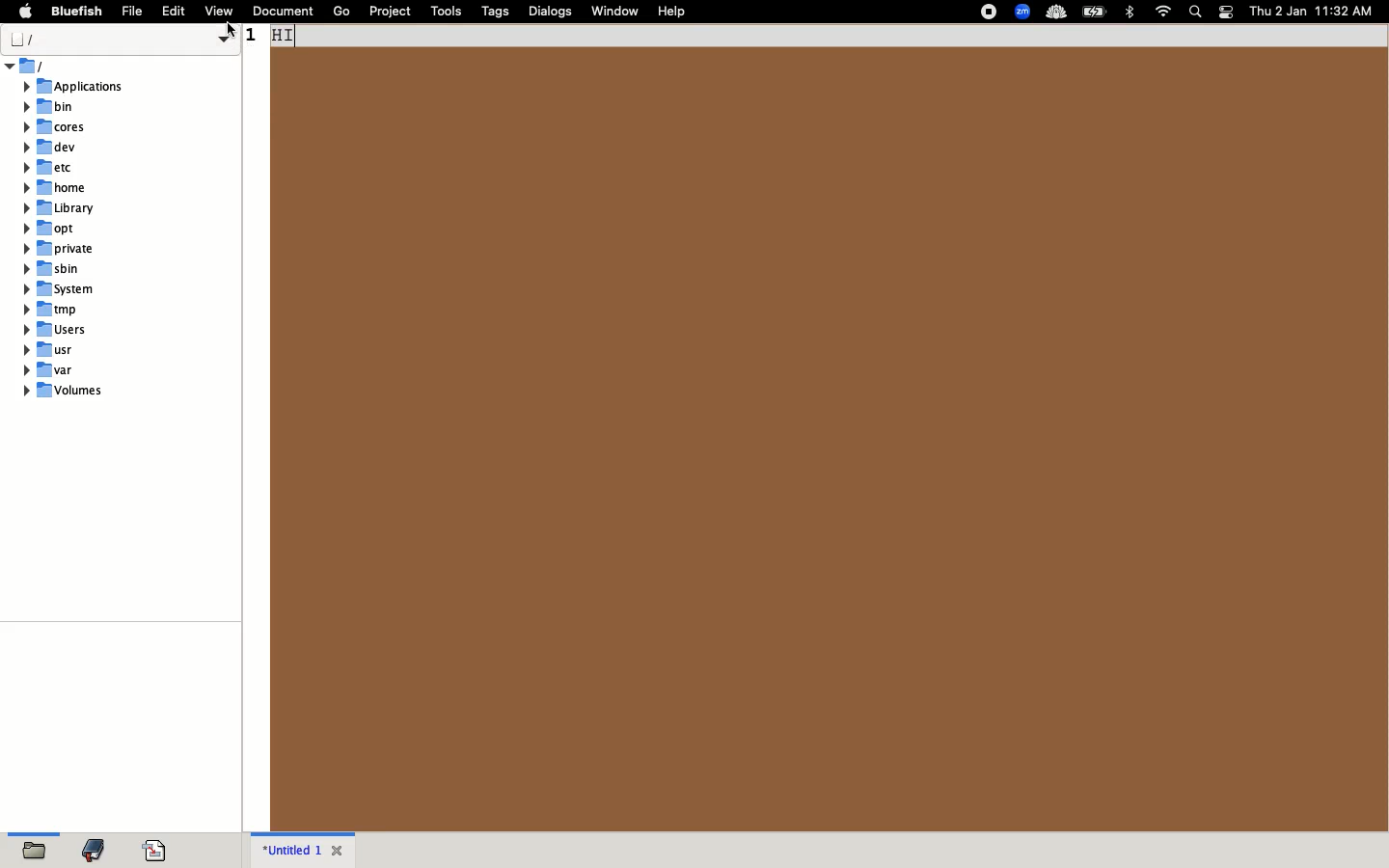 The height and width of the screenshot is (868, 1389). I want to click on tags, so click(497, 13).